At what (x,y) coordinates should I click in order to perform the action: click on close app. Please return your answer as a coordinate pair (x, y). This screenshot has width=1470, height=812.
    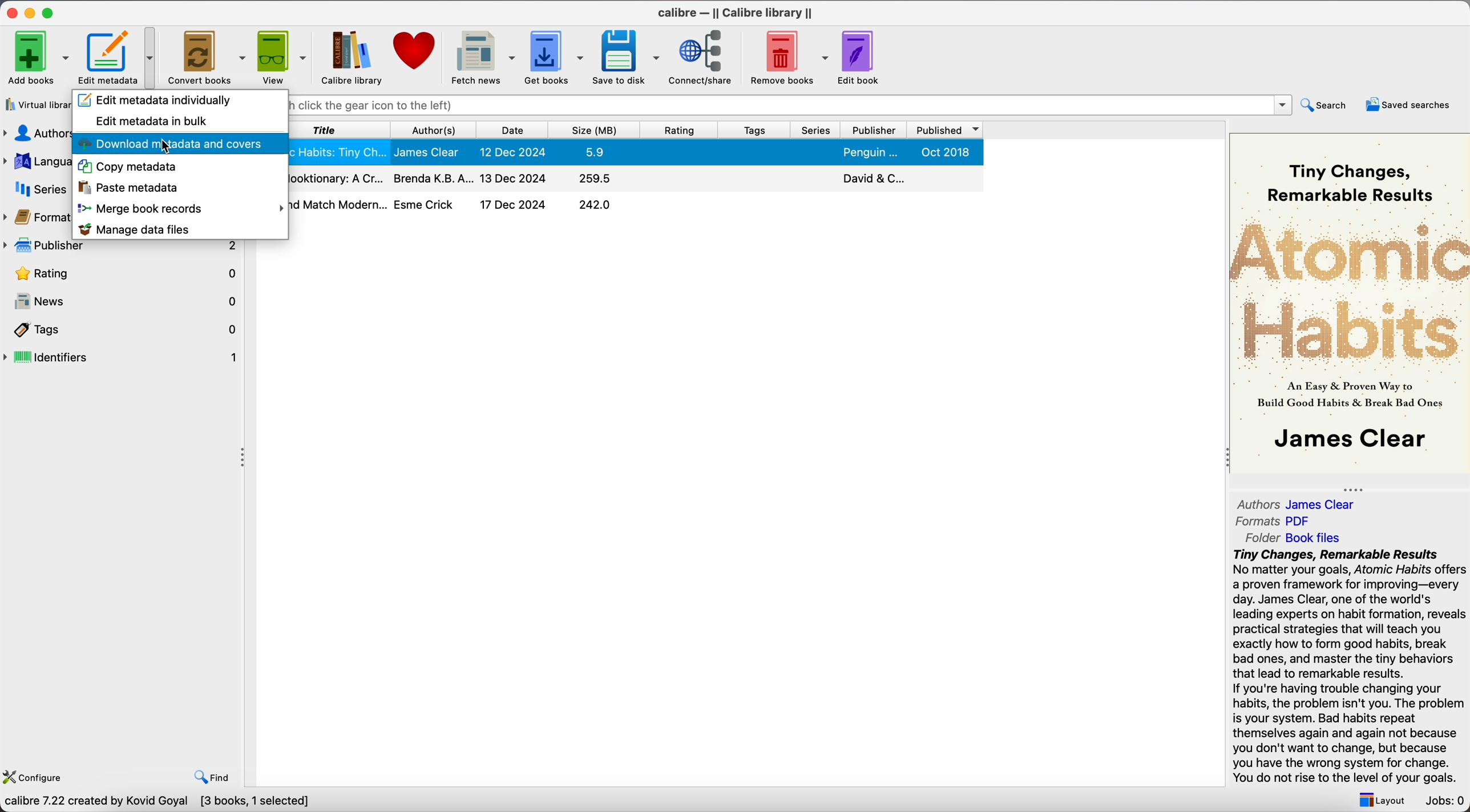
    Looking at the image, I should click on (12, 13).